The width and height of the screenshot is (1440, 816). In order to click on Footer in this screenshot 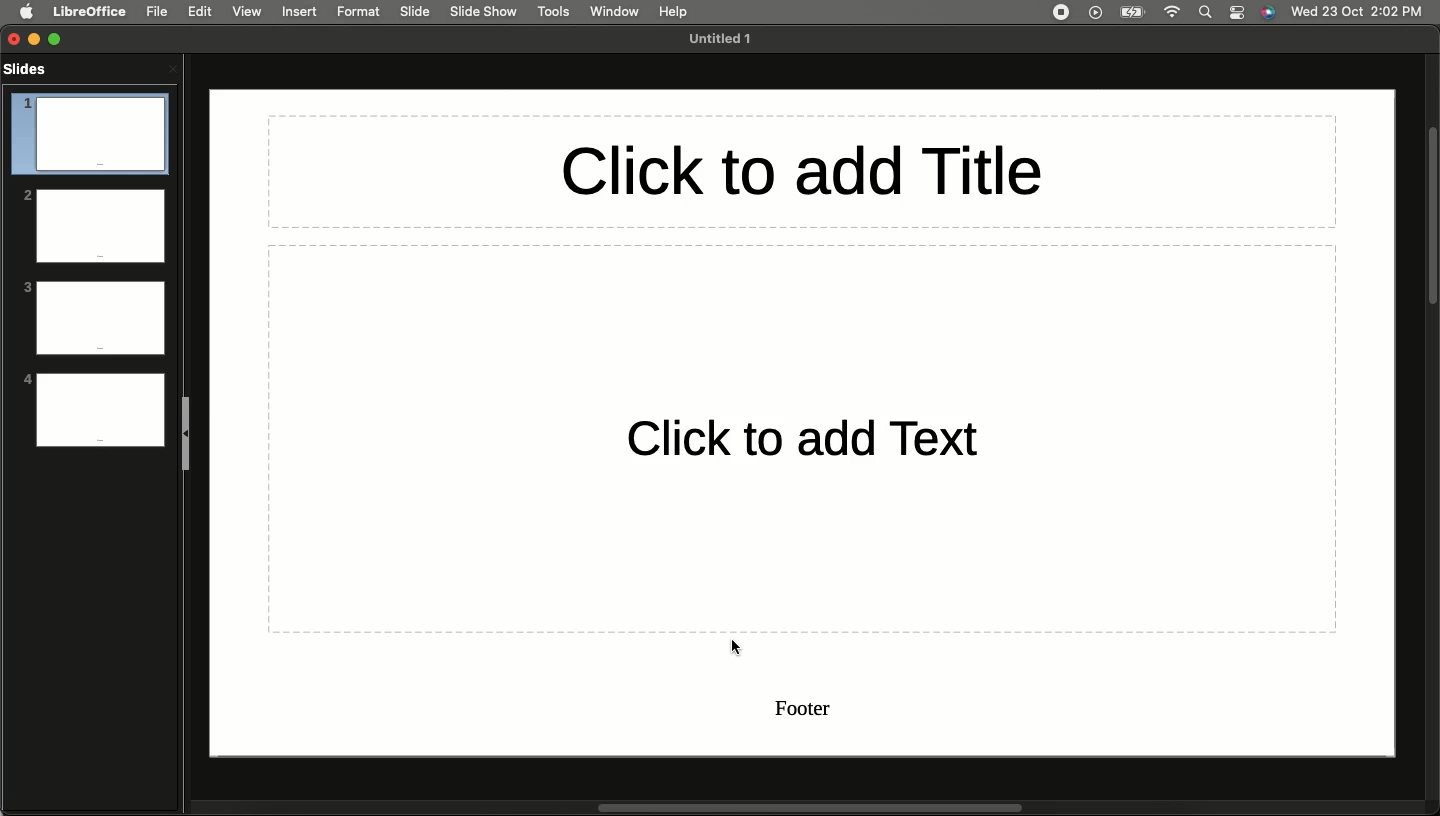, I will do `click(809, 710)`.